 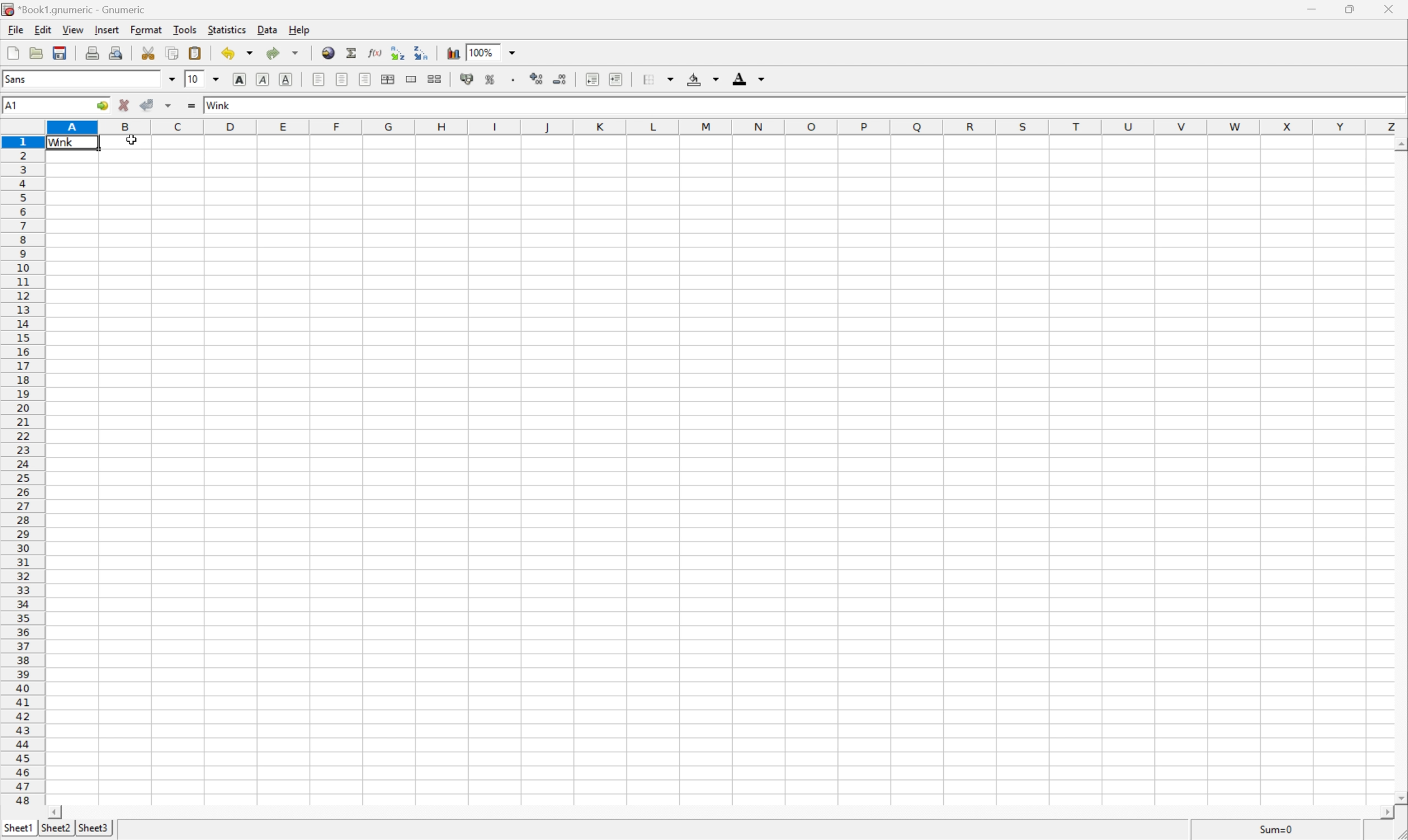 I want to click on sum=0, so click(x=1276, y=830).